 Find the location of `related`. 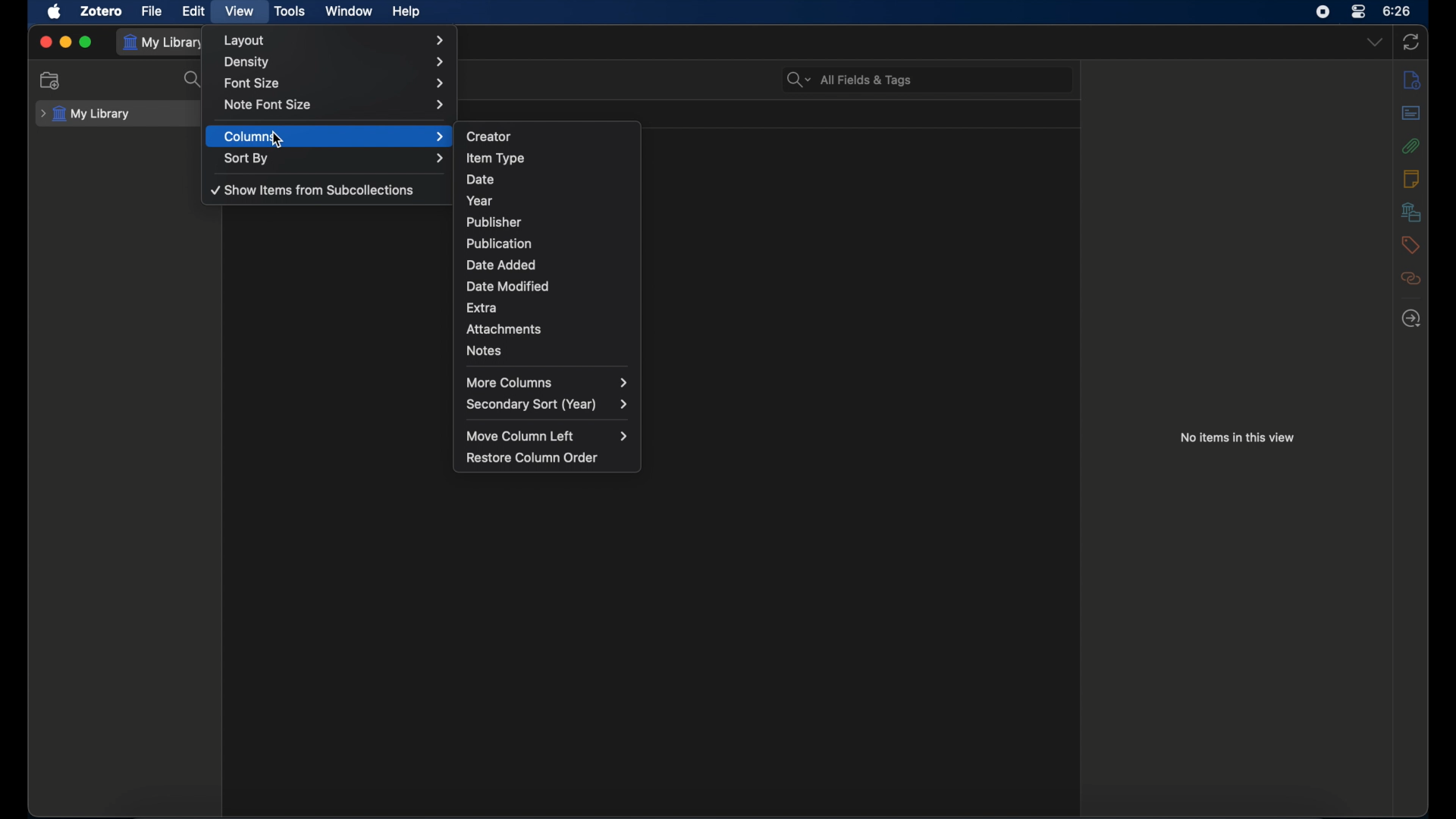

related is located at coordinates (1410, 278).